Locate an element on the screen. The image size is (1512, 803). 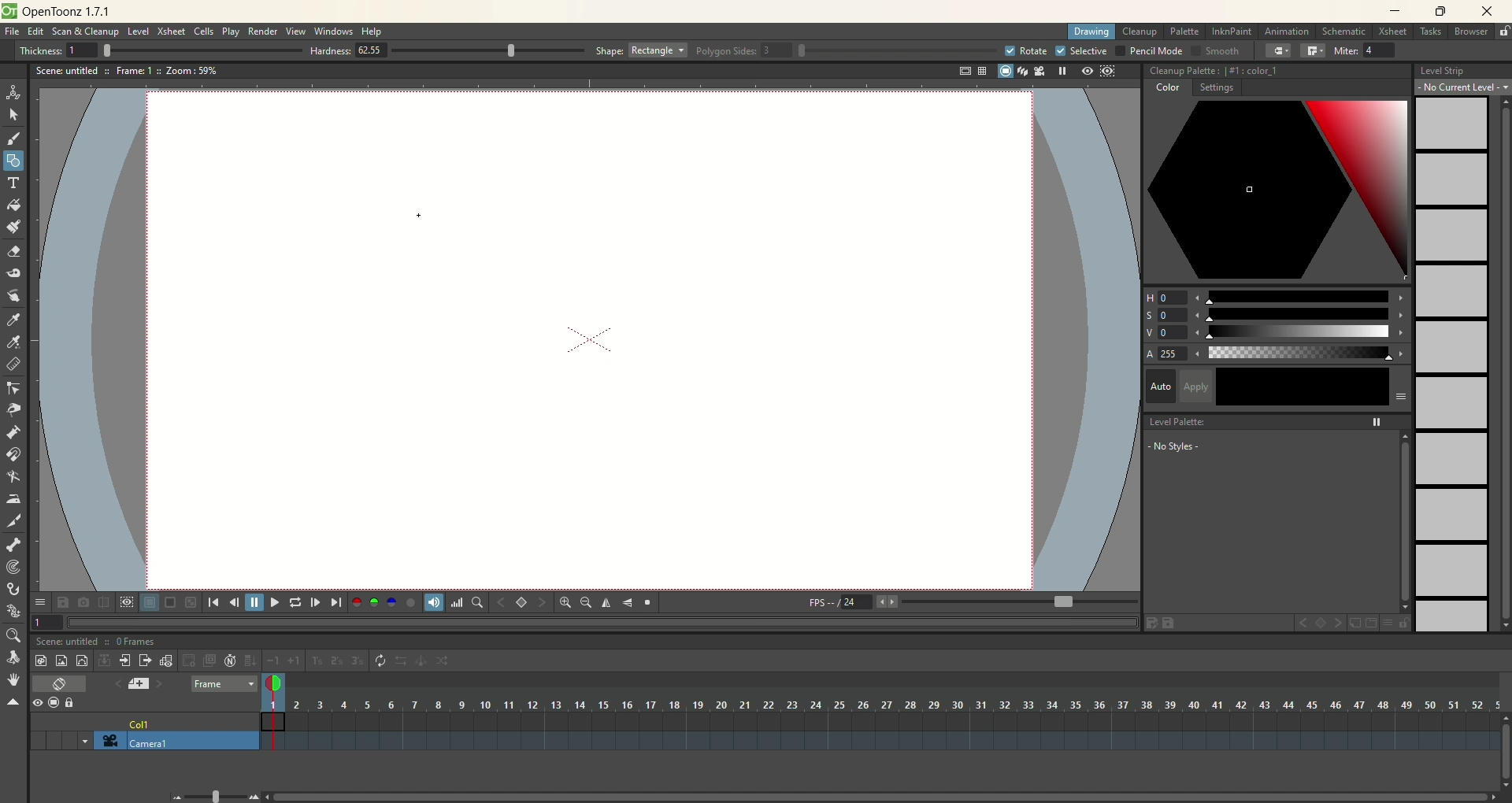
vertical scroll bar is located at coordinates (1501, 364).